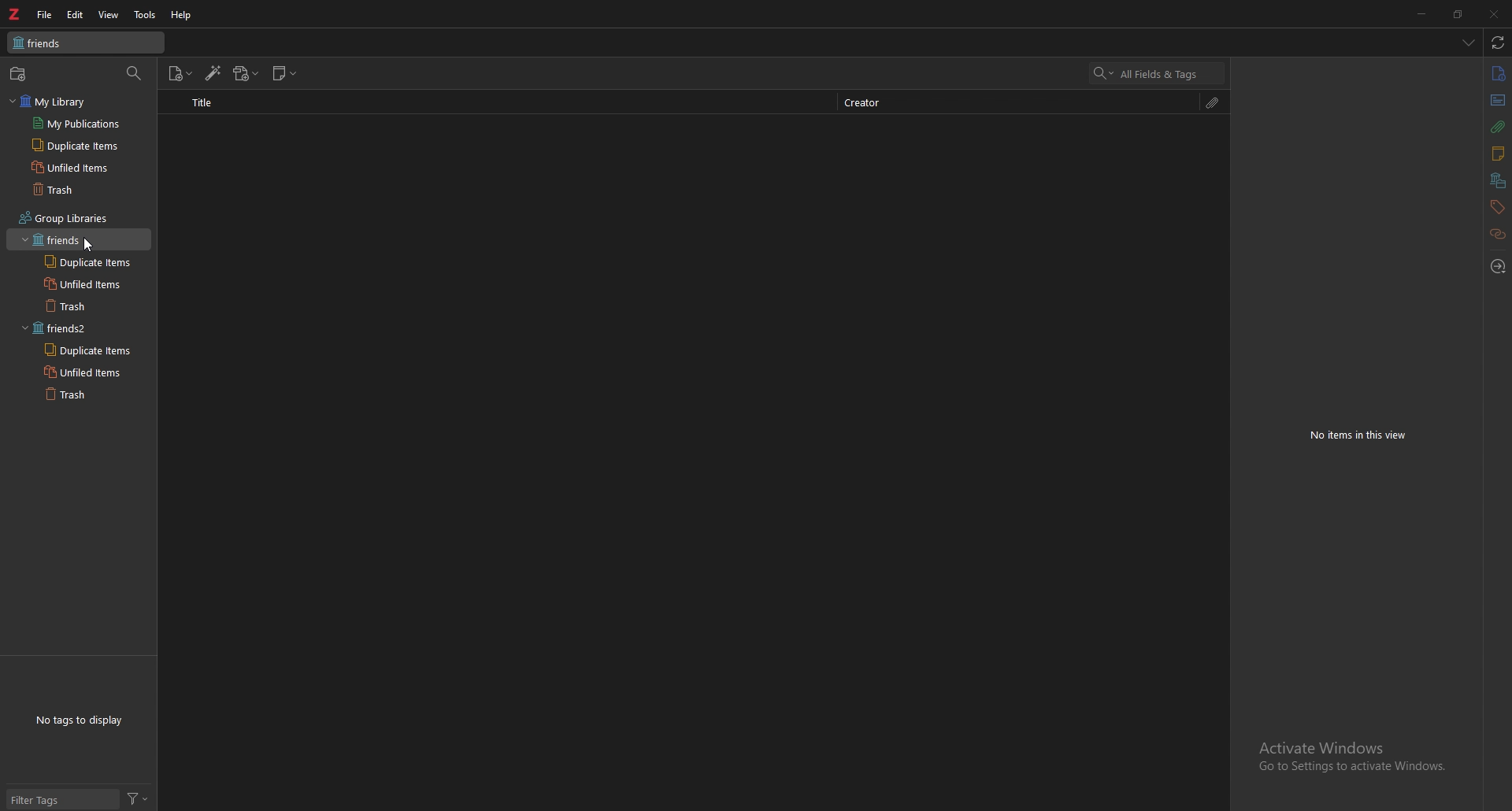 This screenshot has height=811, width=1512. I want to click on Blank space, so click(692, 464).